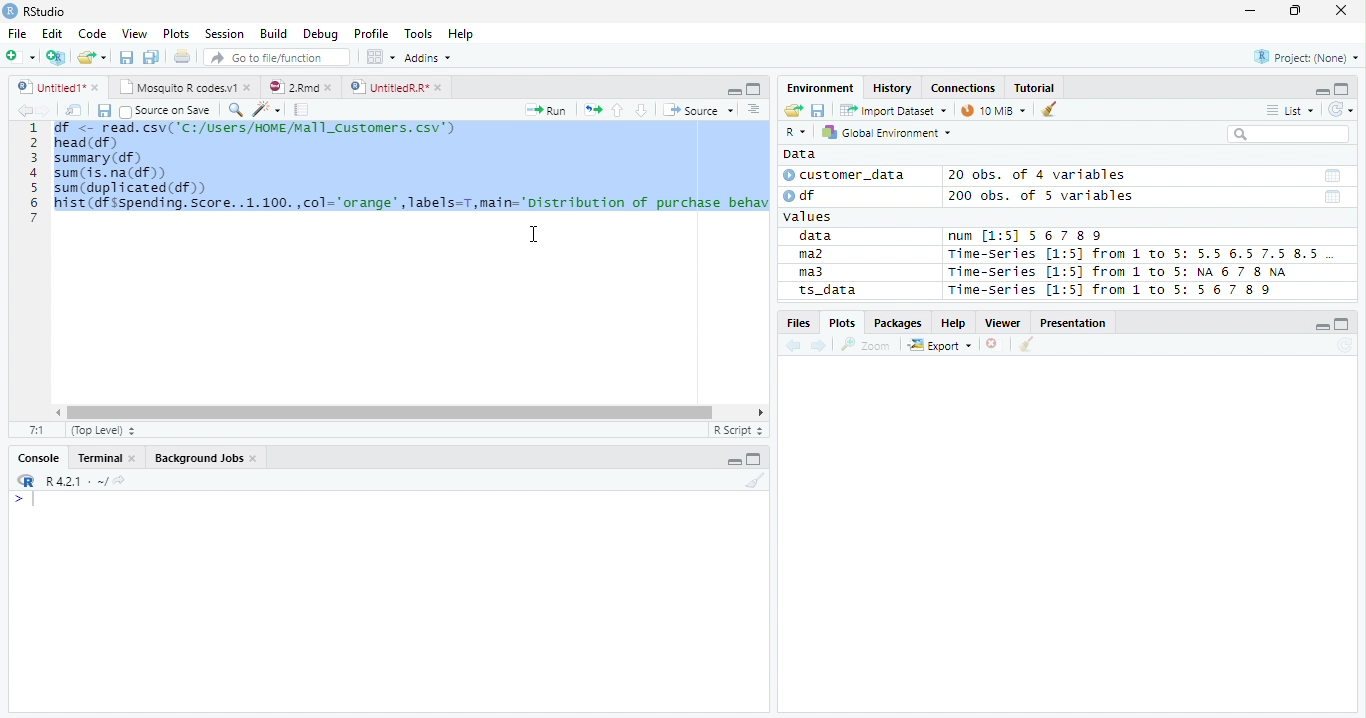  Describe the element at coordinates (791, 111) in the screenshot. I see `Open folder` at that location.